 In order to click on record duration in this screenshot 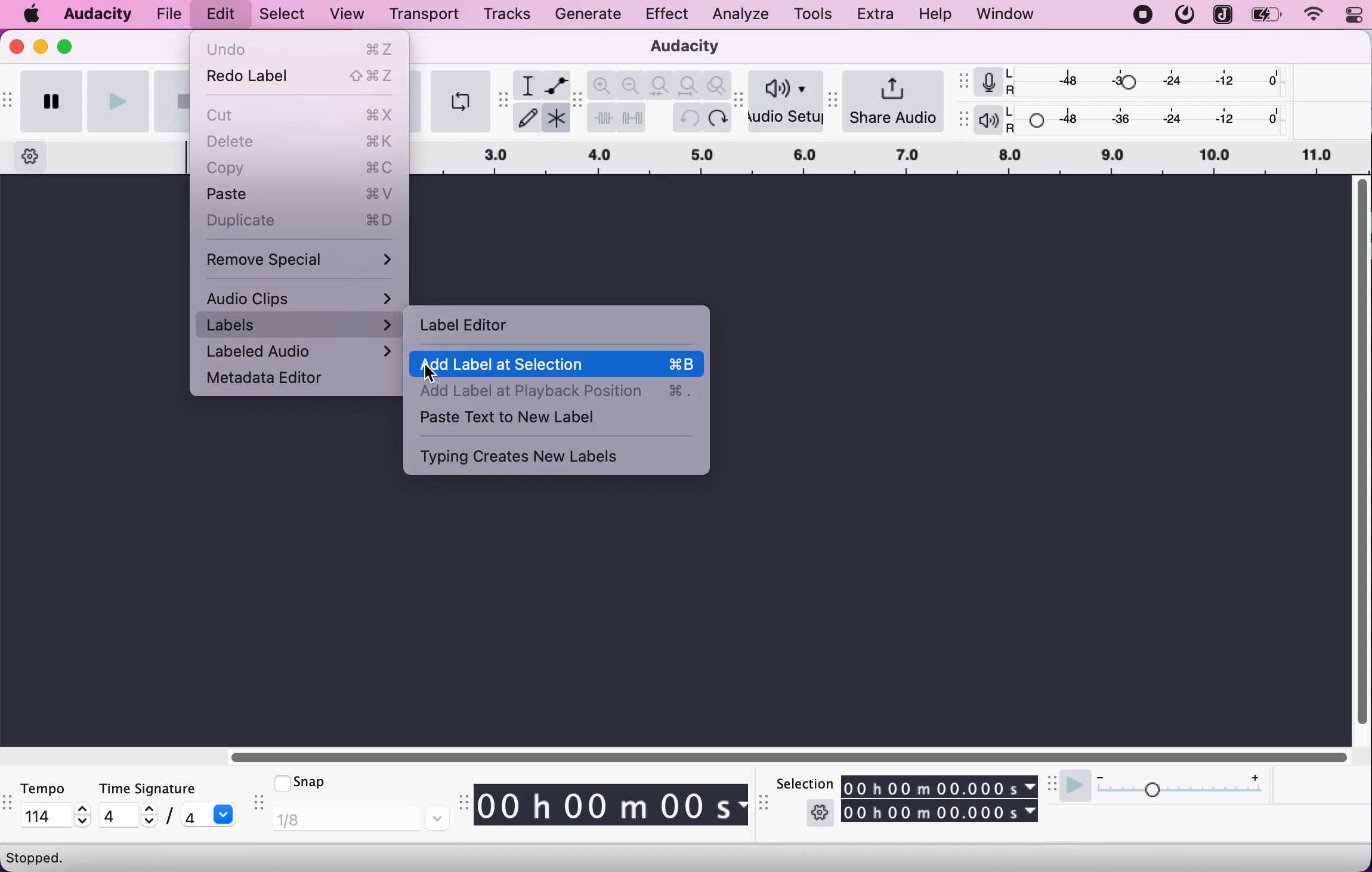, I will do `click(891, 157)`.